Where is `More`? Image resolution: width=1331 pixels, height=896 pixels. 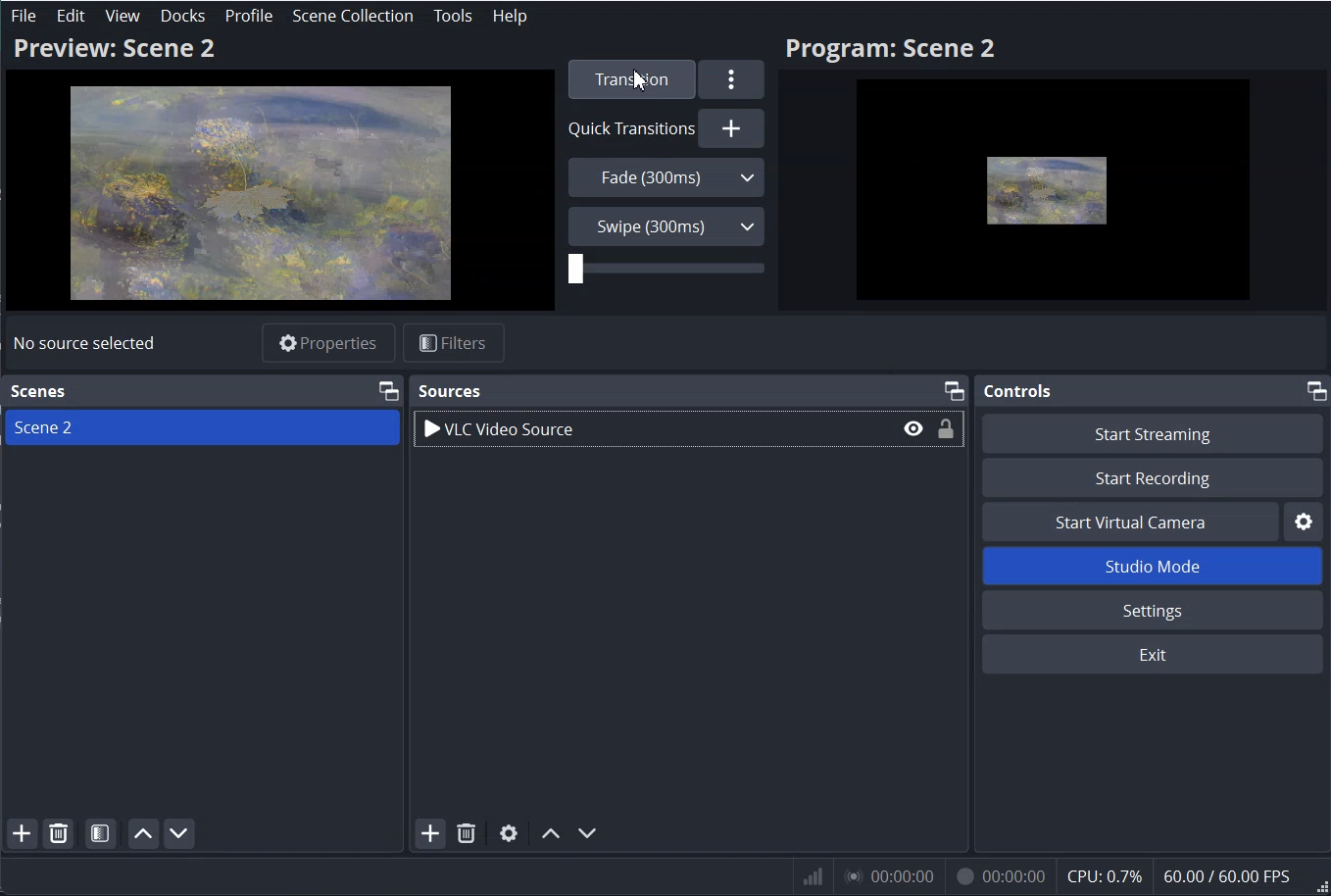
More is located at coordinates (733, 79).